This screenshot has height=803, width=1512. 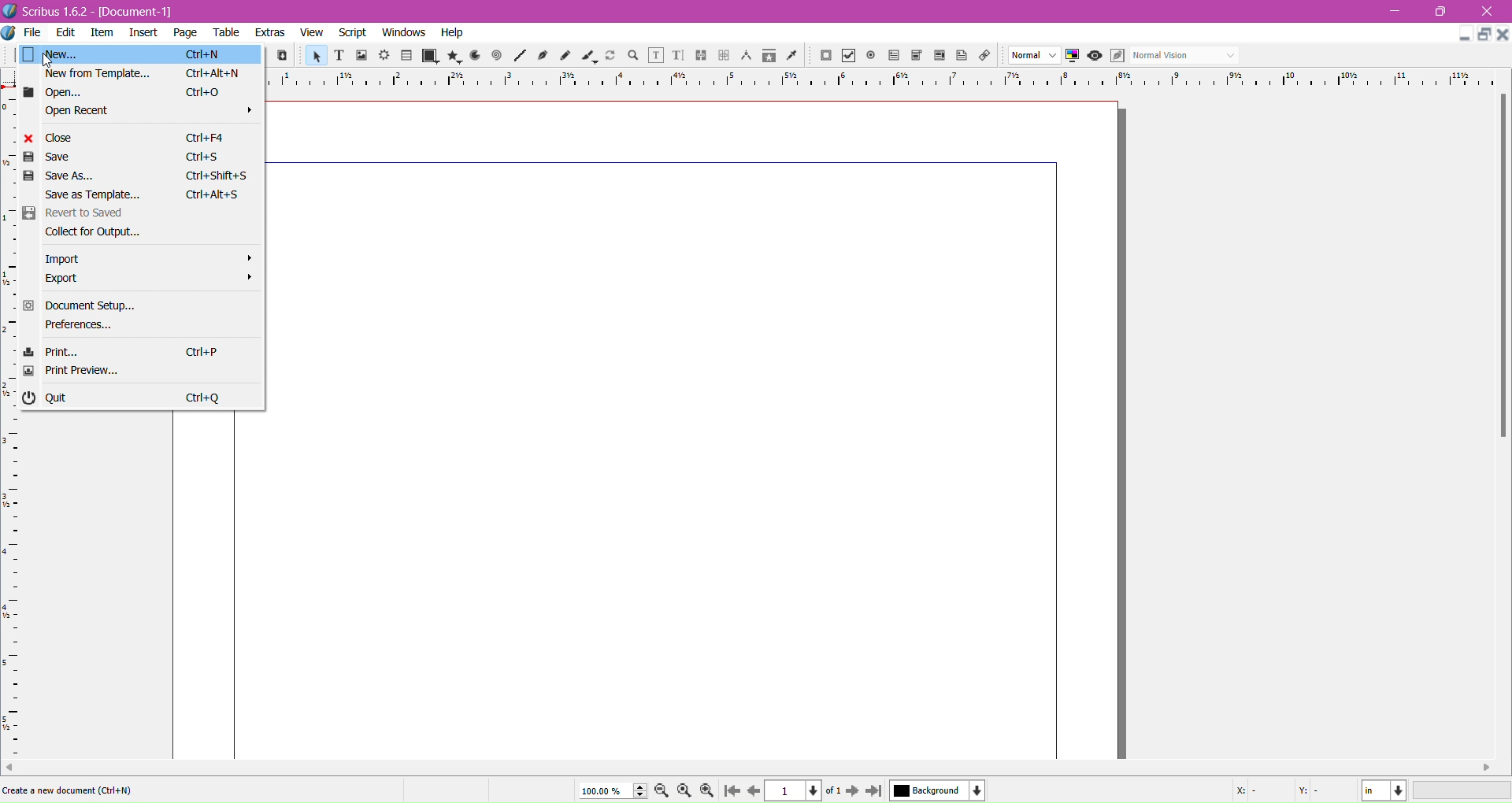 What do you see at coordinates (455, 54) in the screenshot?
I see `icon` at bounding box center [455, 54].